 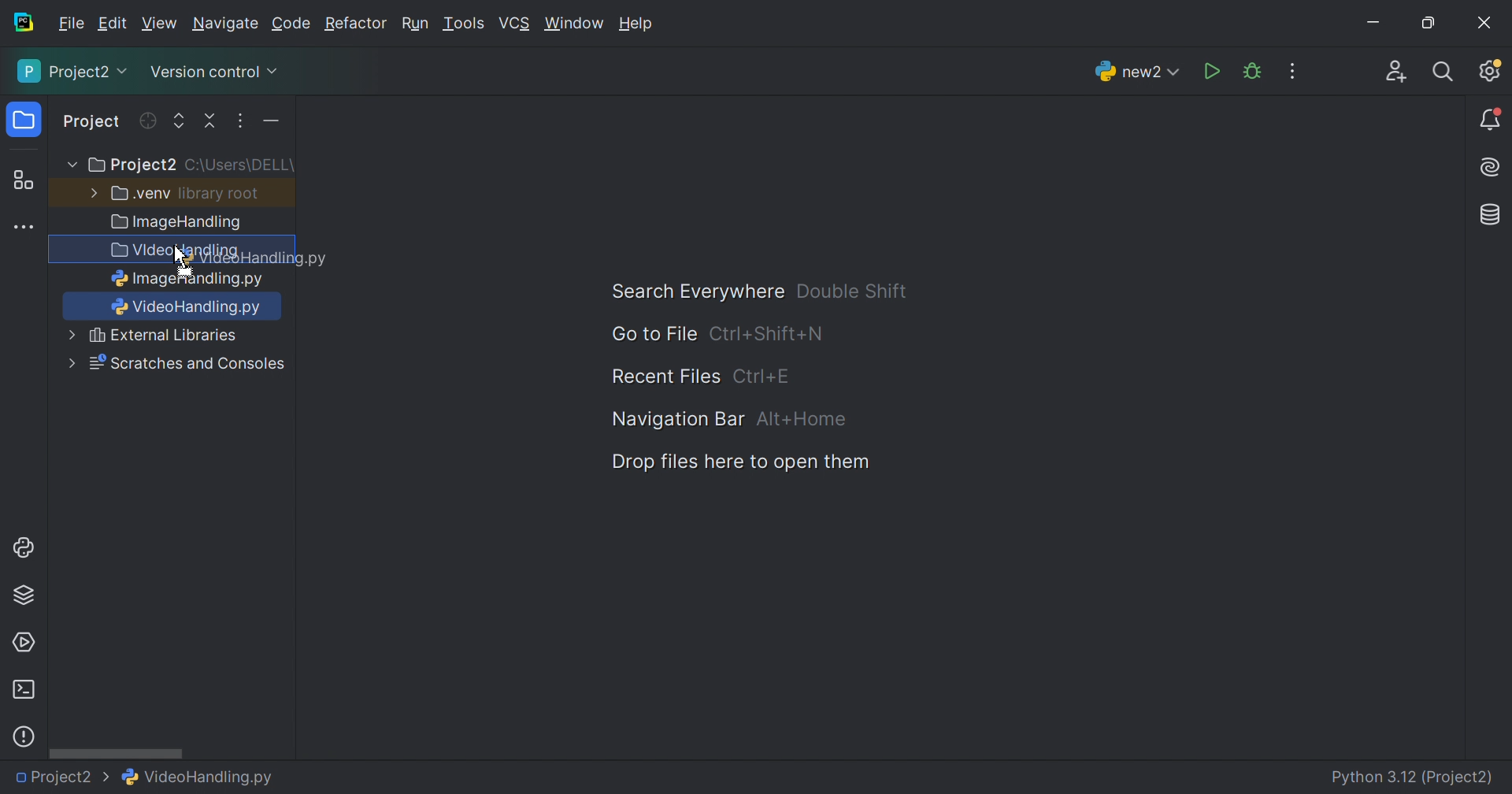 What do you see at coordinates (637, 23) in the screenshot?
I see `Help` at bounding box center [637, 23].